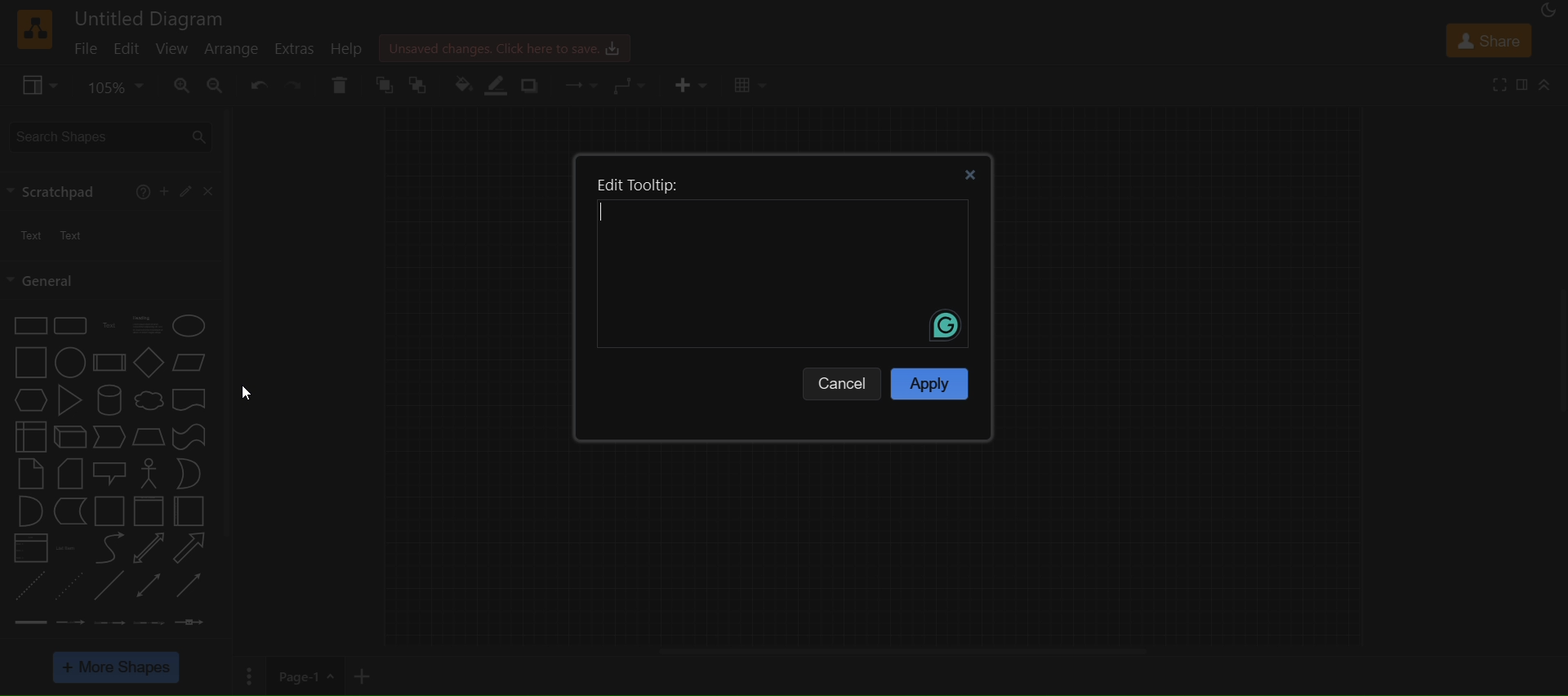  What do you see at coordinates (1496, 83) in the screenshot?
I see `fullscreen` at bounding box center [1496, 83].